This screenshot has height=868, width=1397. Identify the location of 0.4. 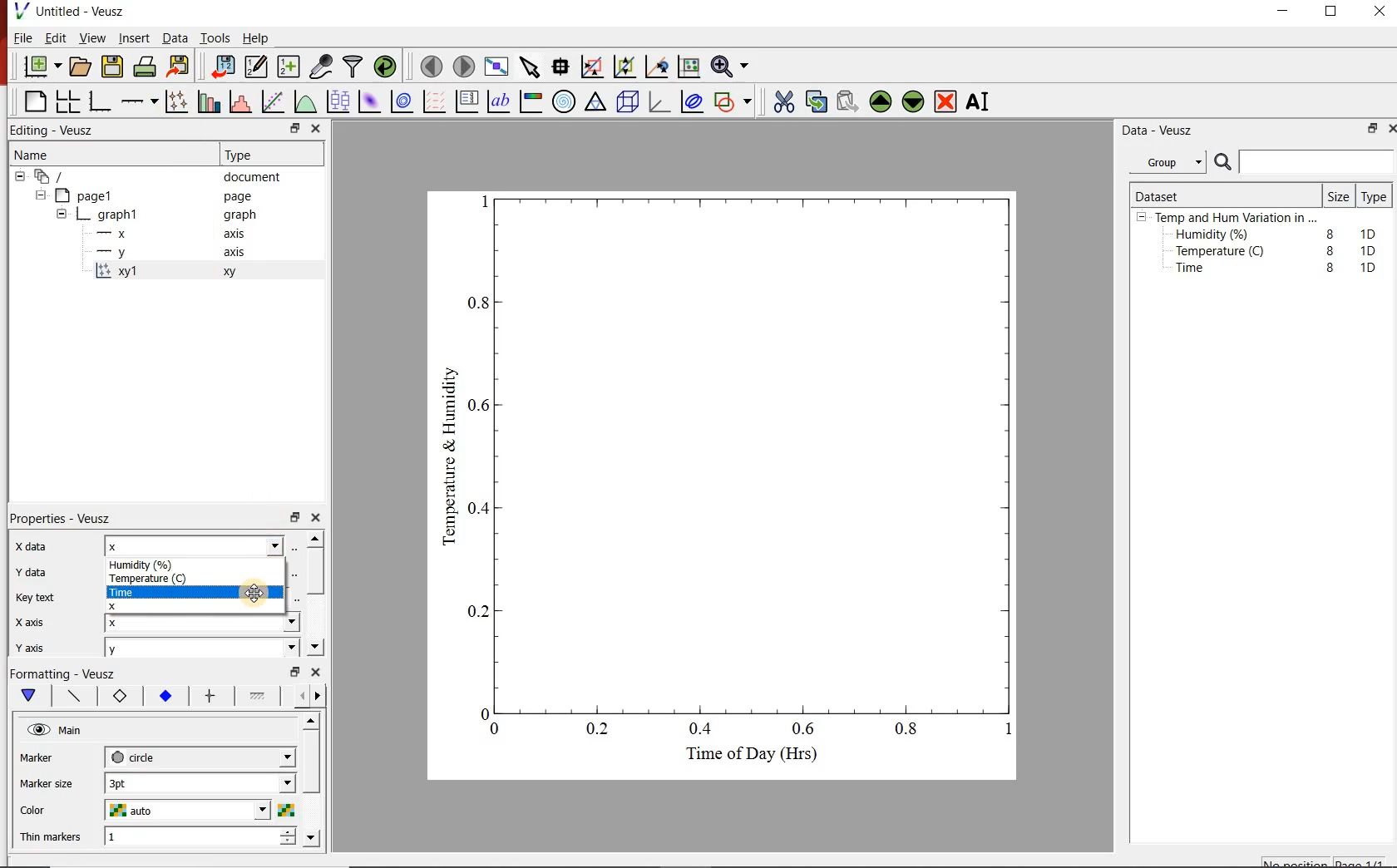
(481, 508).